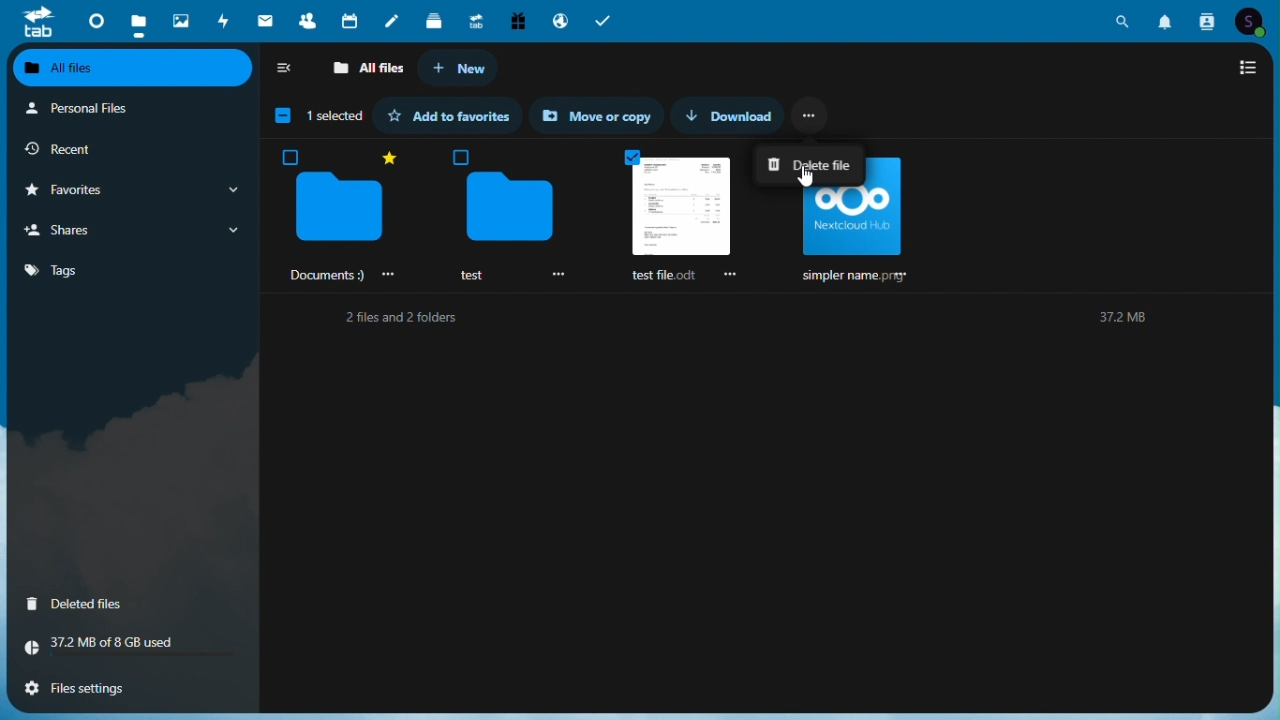 The image size is (1280, 720). What do you see at coordinates (130, 192) in the screenshot?
I see `Favourite` at bounding box center [130, 192].